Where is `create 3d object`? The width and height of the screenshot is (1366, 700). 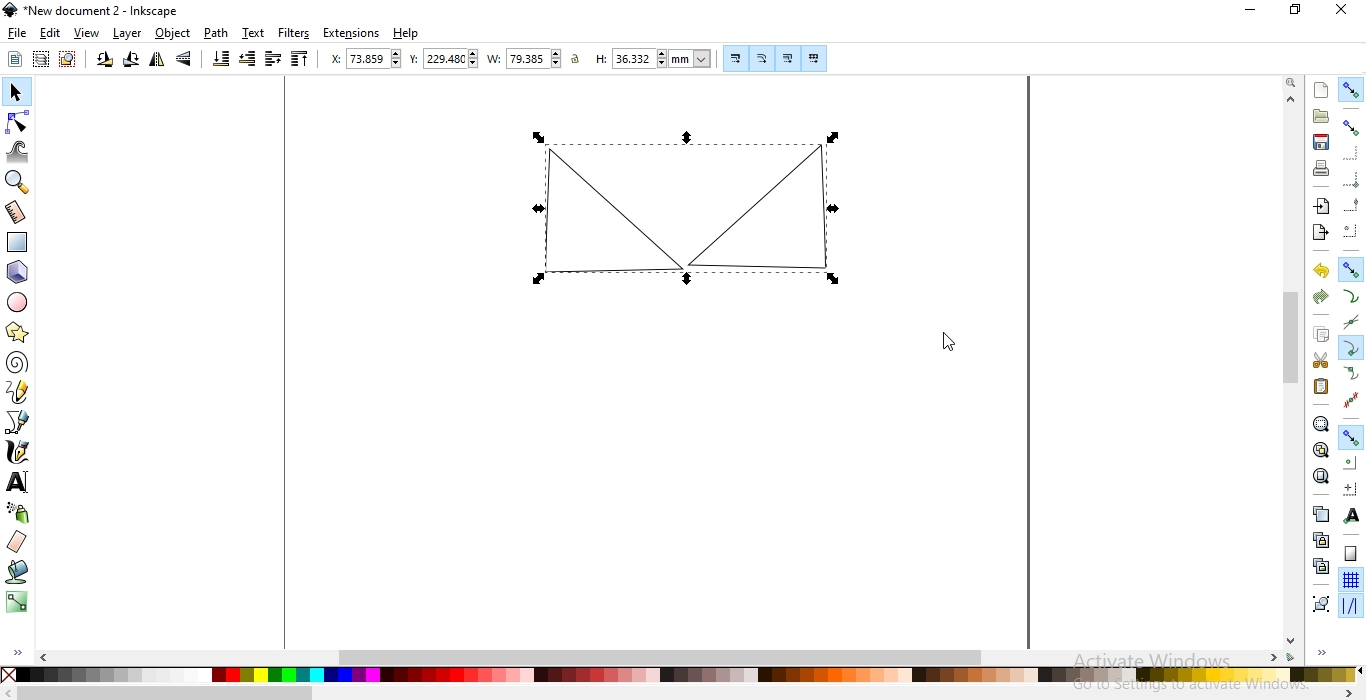 create 3d object is located at coordinates (18, 272).